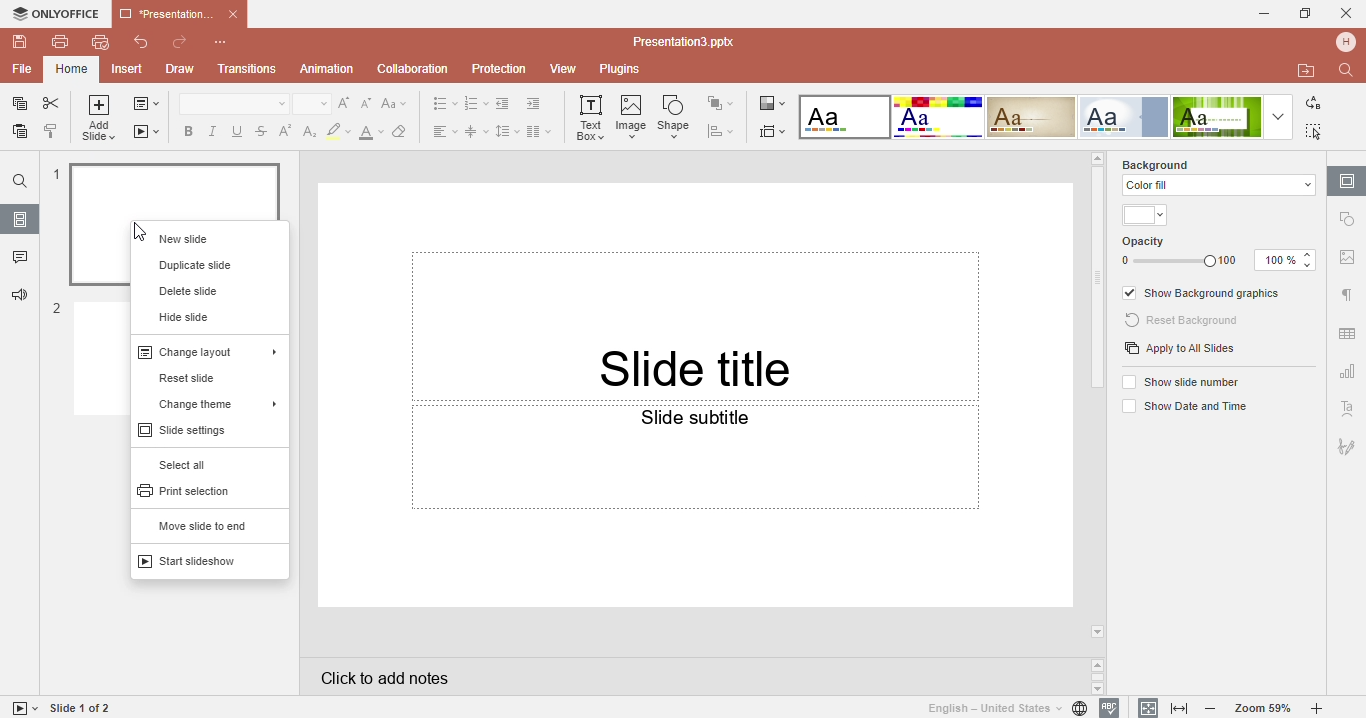 The height and width of the screenshot is (718, 1366). Describe the element at coordinates (1144, 707) in the screenshot. I see `Fit to slidee` at that location.